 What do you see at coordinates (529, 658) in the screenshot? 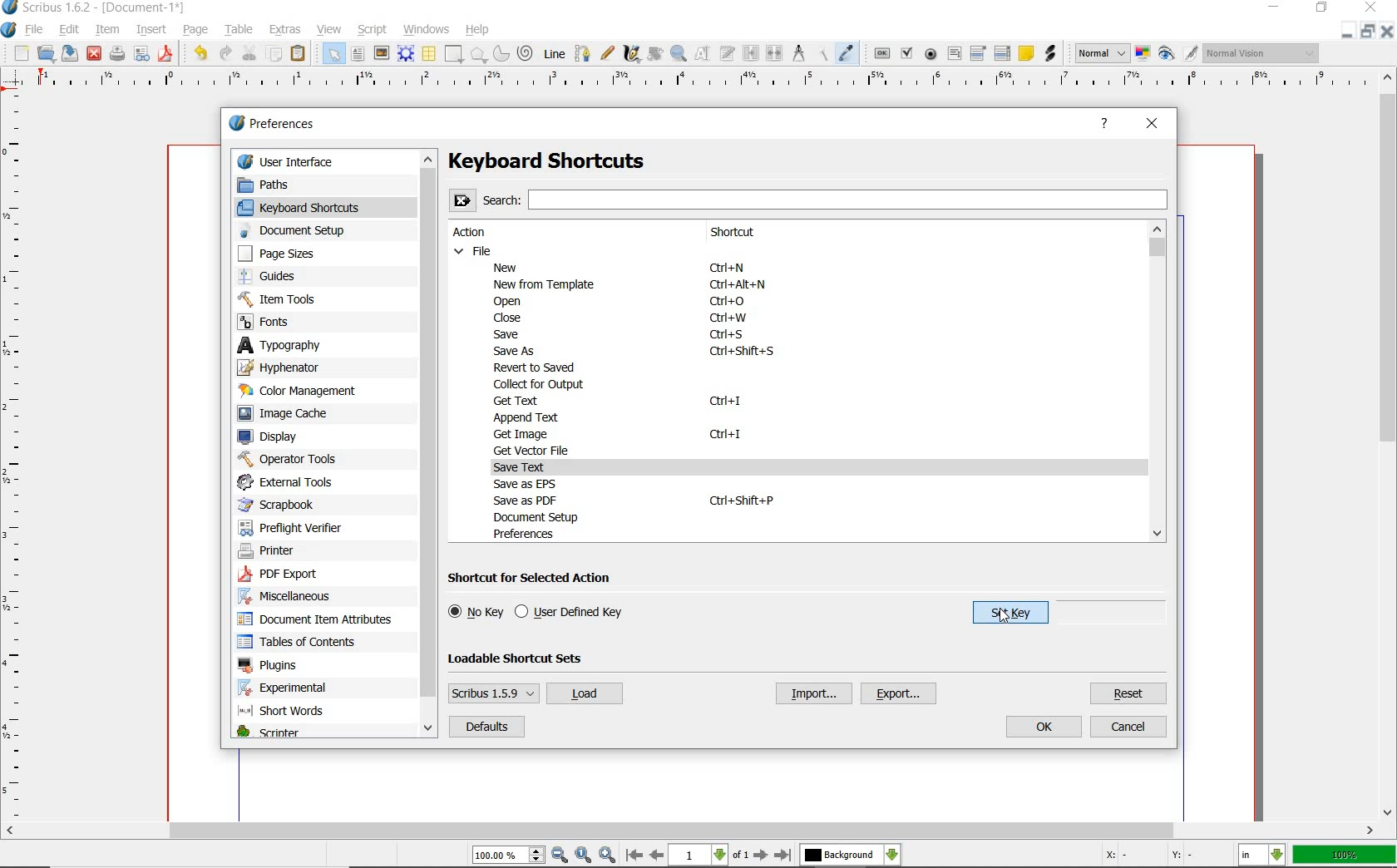
I see `loadable shortcut sets` at bounding box center [529, 658].